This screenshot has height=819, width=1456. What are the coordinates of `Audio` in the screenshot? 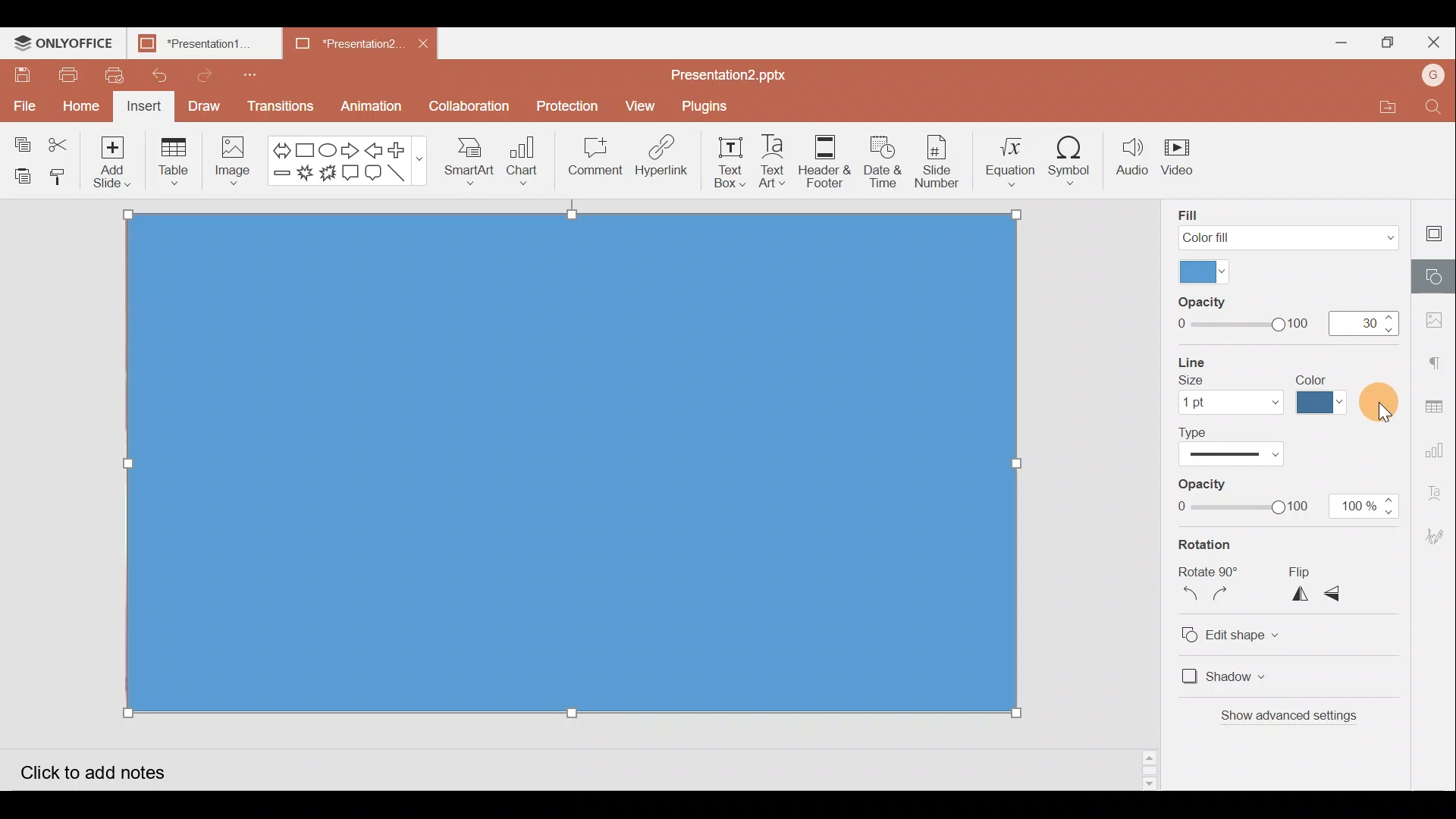 It's located at (1132, 159).